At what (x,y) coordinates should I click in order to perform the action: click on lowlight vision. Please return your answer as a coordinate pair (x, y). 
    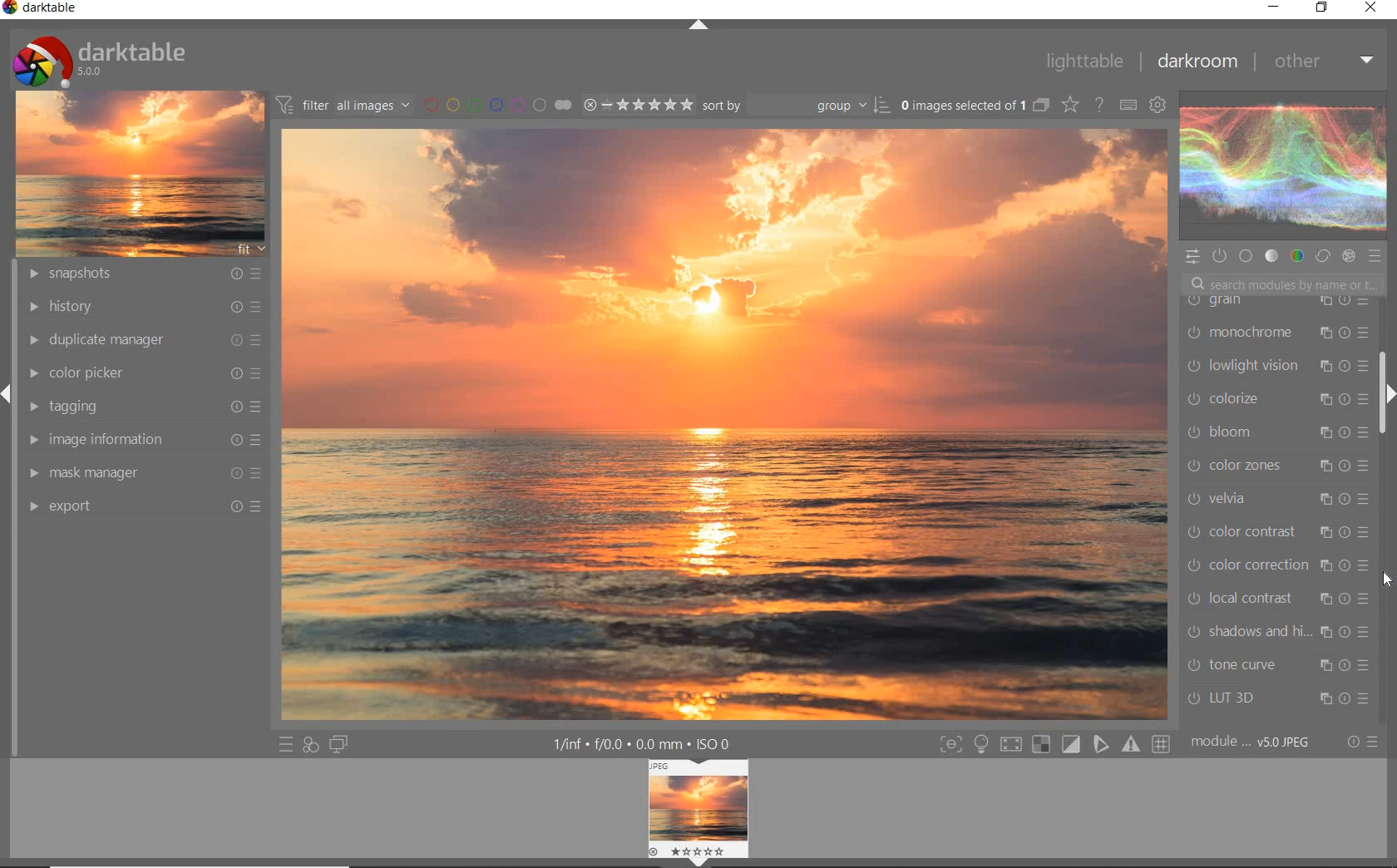
    Looking at the image, I should click on (1276, 365).